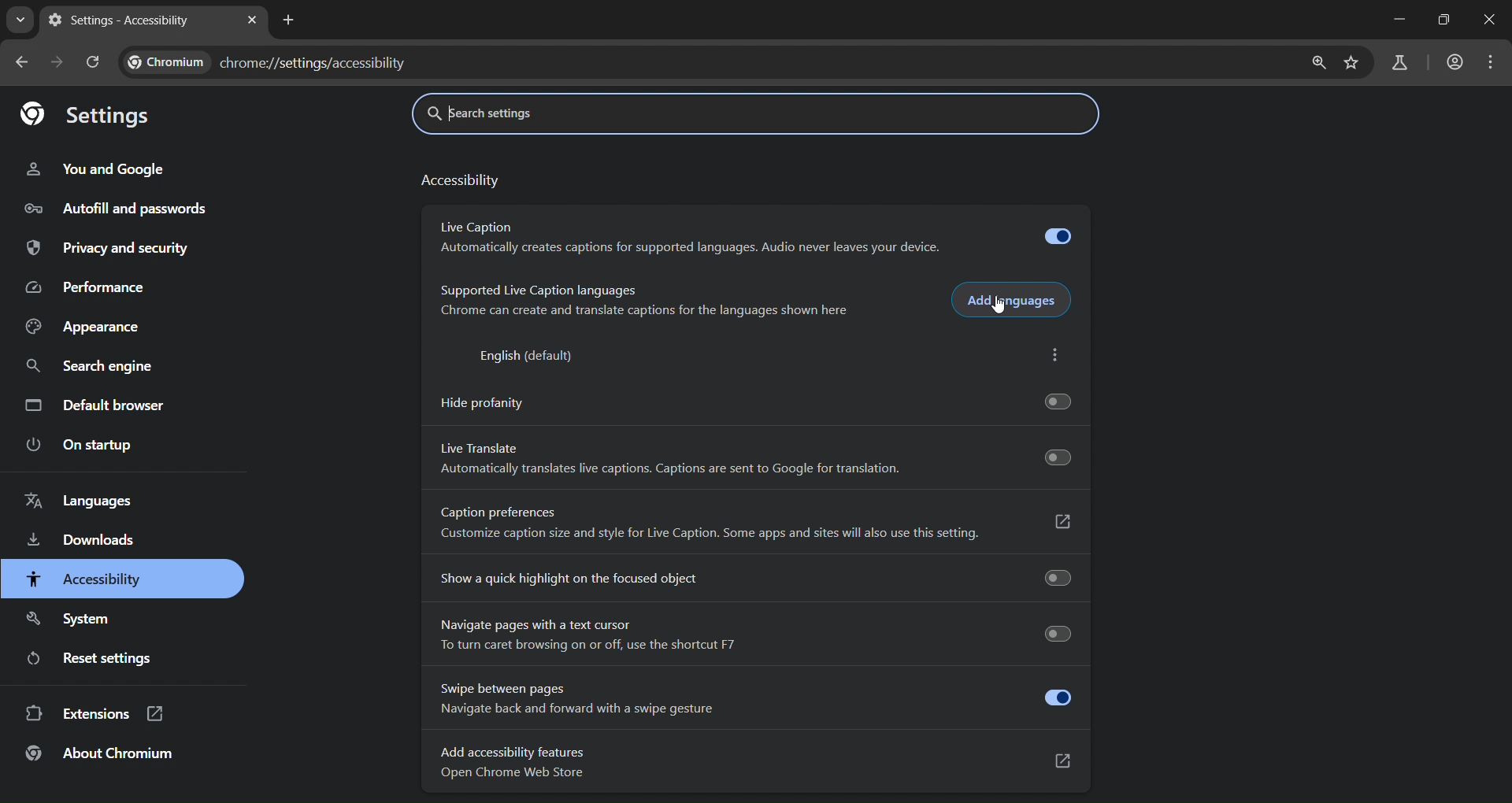 The height and width of the screenshot is (803, 1512). What do you see at coordinates (24, 61) in the screenshot?
I see `go back one page` at bounding box center [24, 61].